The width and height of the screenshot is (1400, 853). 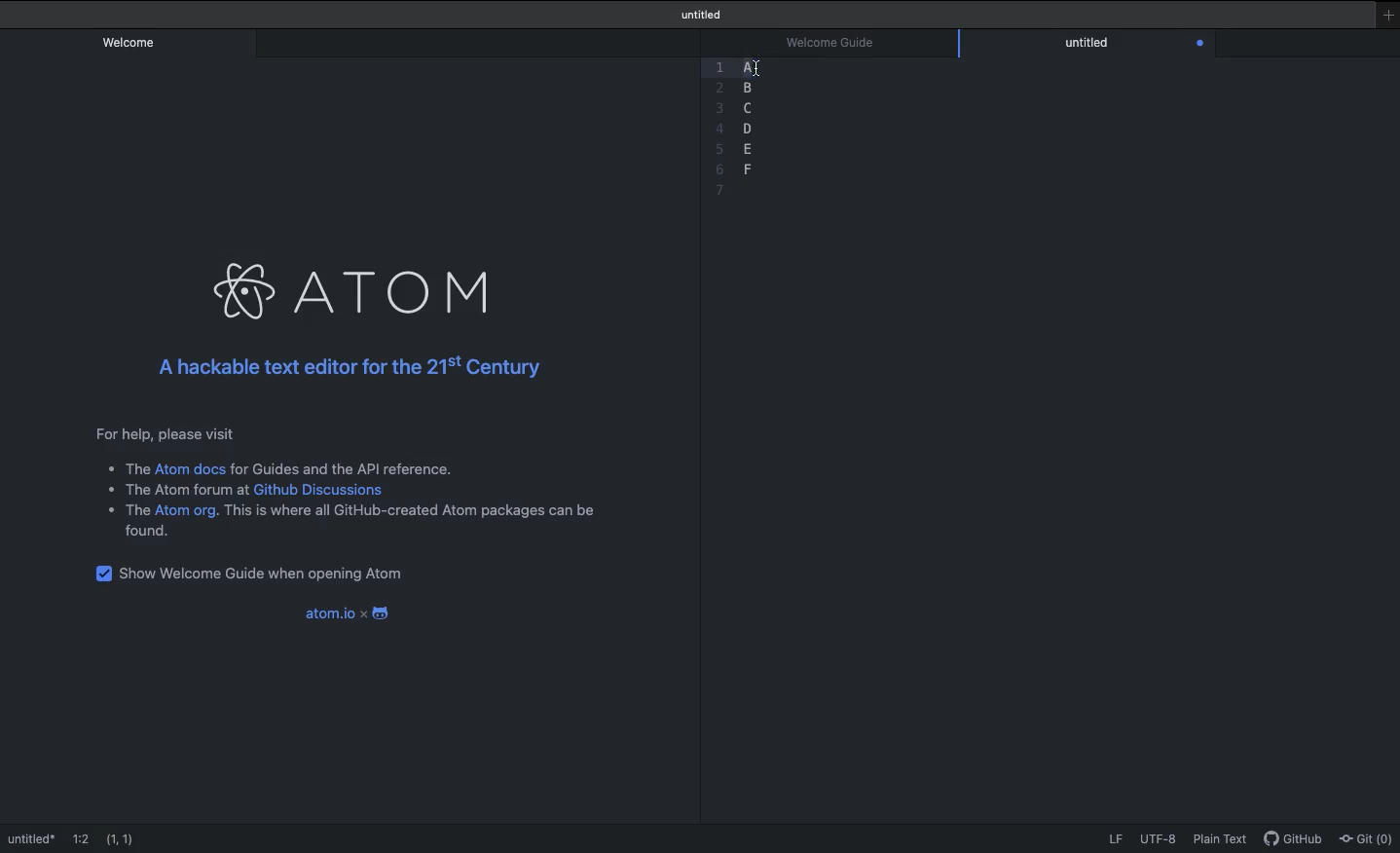 What do you see at coordinates (1387, 16) in the screenshot?
I see `New window ` at bounding box center [1387, 16].